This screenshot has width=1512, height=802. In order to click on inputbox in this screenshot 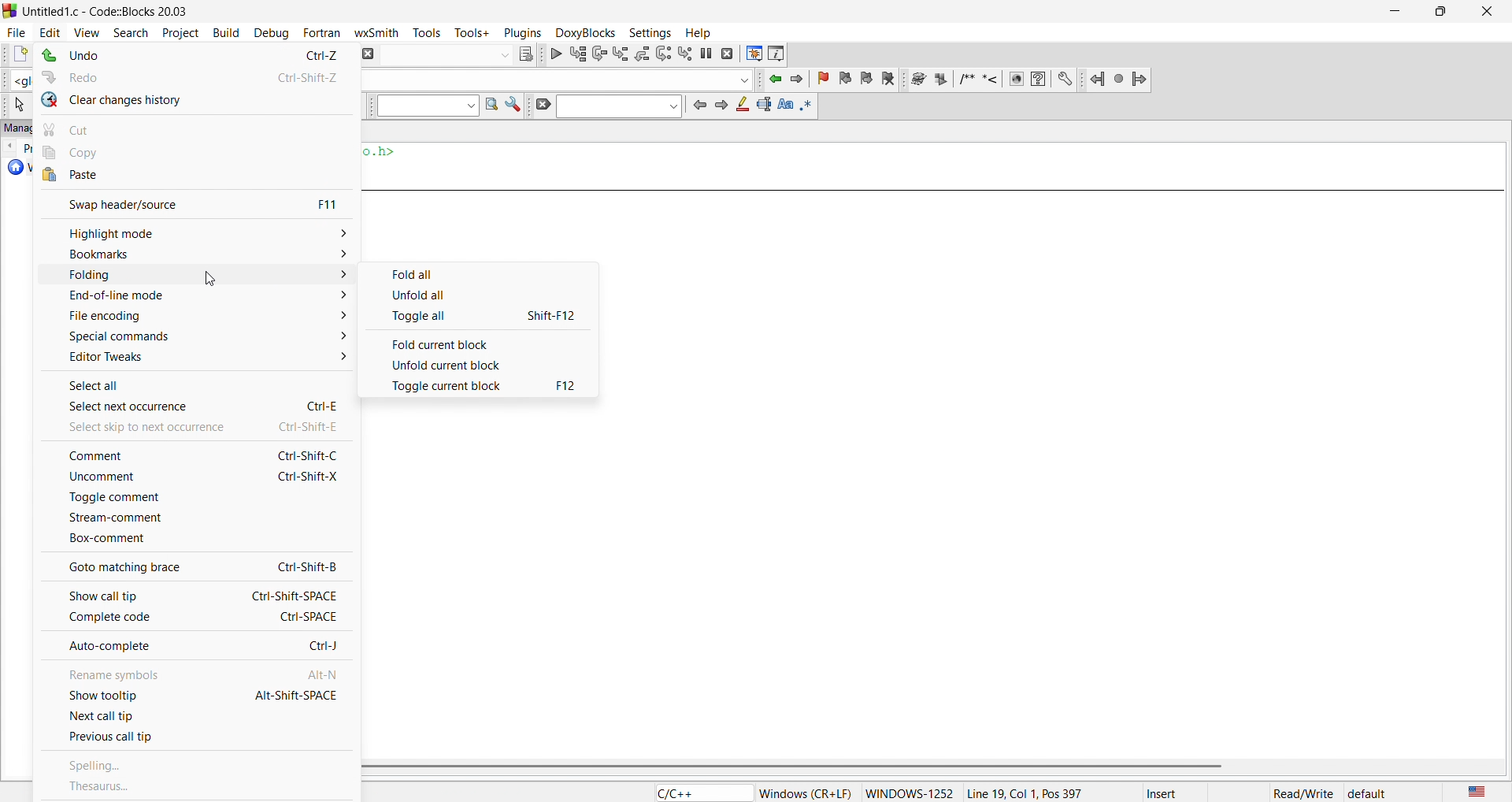, I will do `click(618, 106)`.